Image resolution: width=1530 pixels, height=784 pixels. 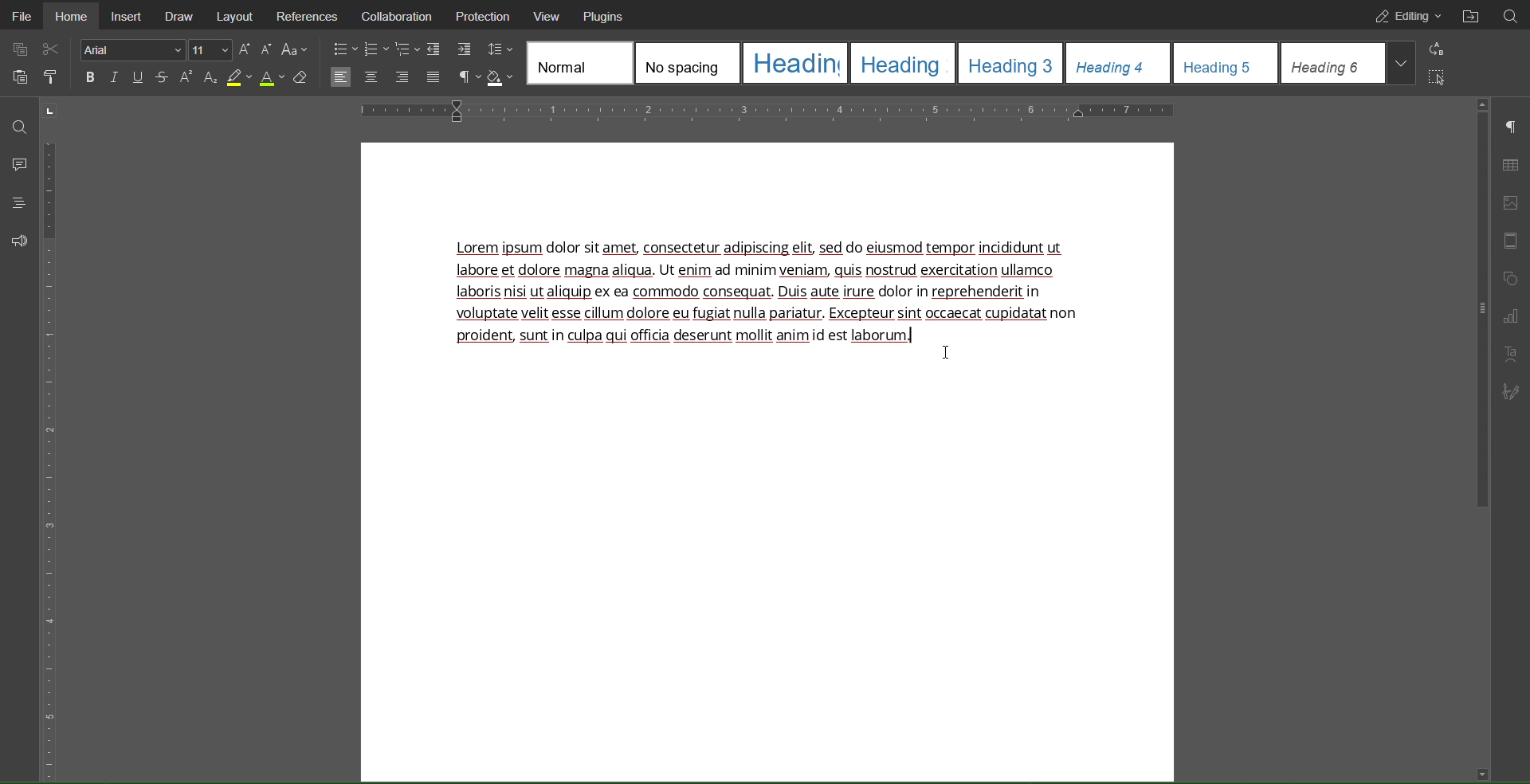 I want to click on Bullet List, so click(x=345, y=49).